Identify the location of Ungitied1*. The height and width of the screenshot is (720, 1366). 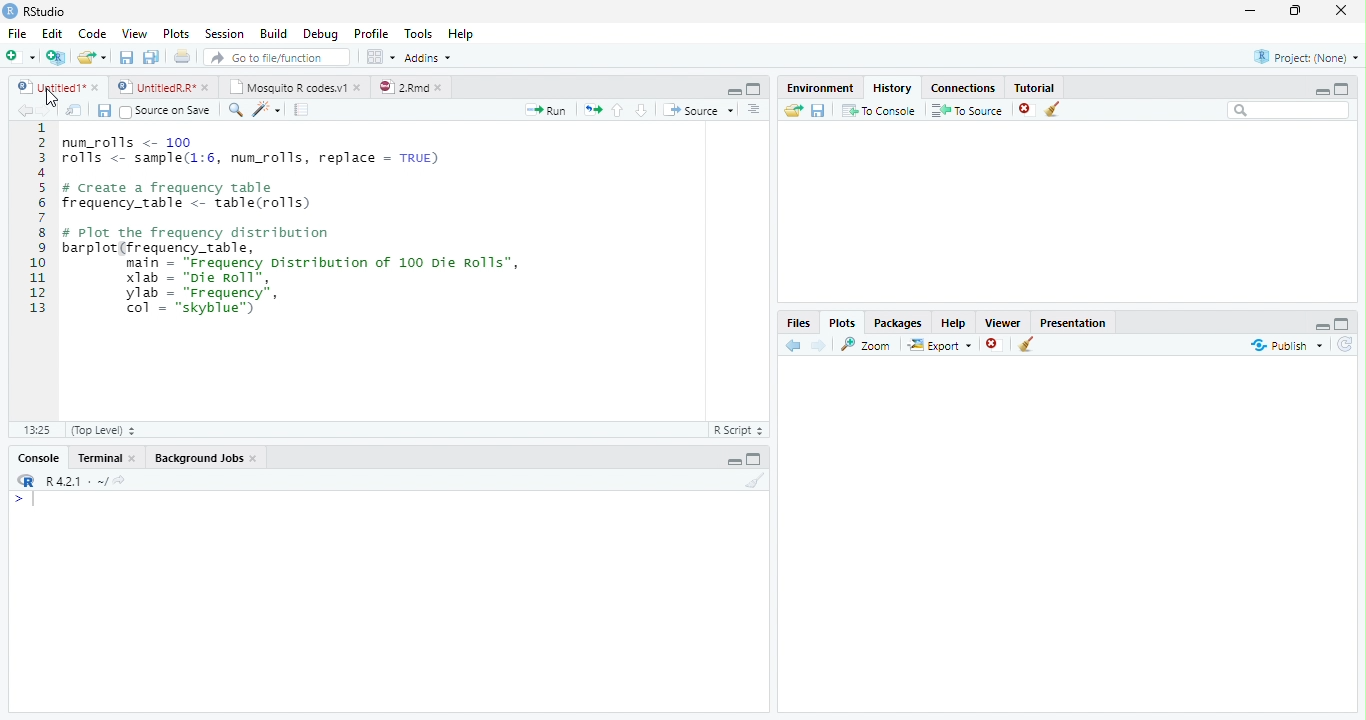
(57, 87).